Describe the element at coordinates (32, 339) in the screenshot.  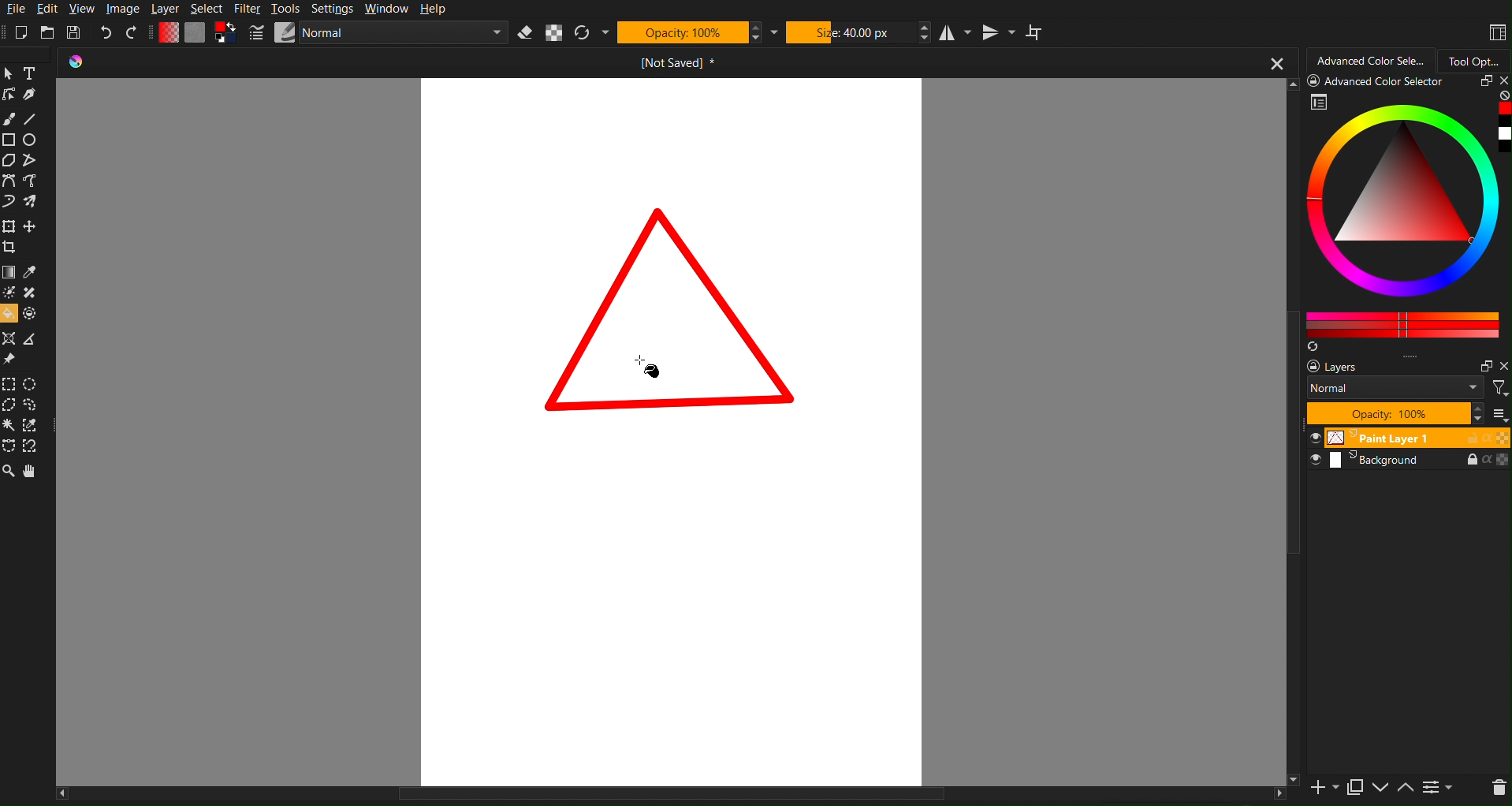
I see `measure the distance between two points` at that location.